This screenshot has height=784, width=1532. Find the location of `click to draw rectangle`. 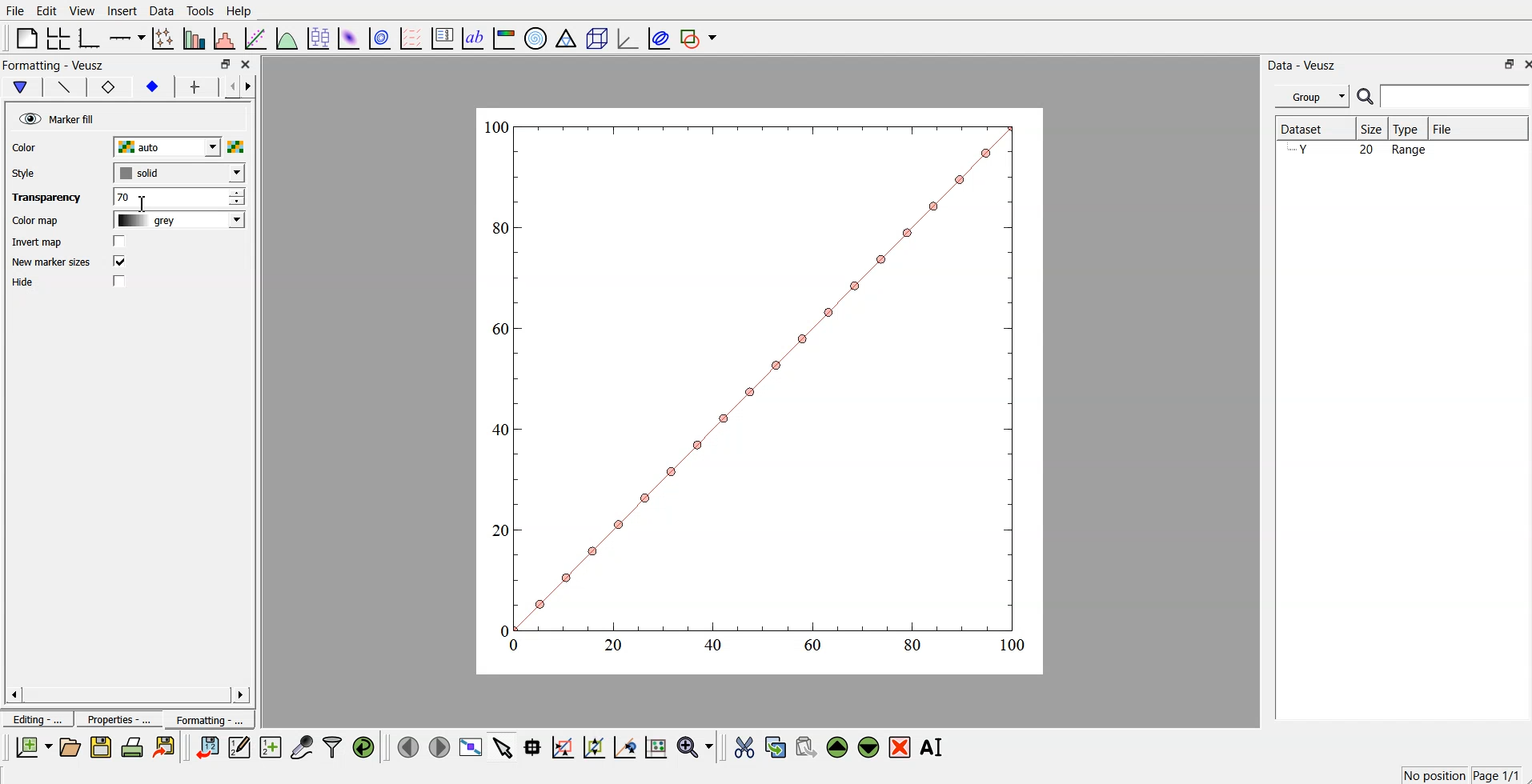

click to draw rectangle is located at coordinates (563, 746).